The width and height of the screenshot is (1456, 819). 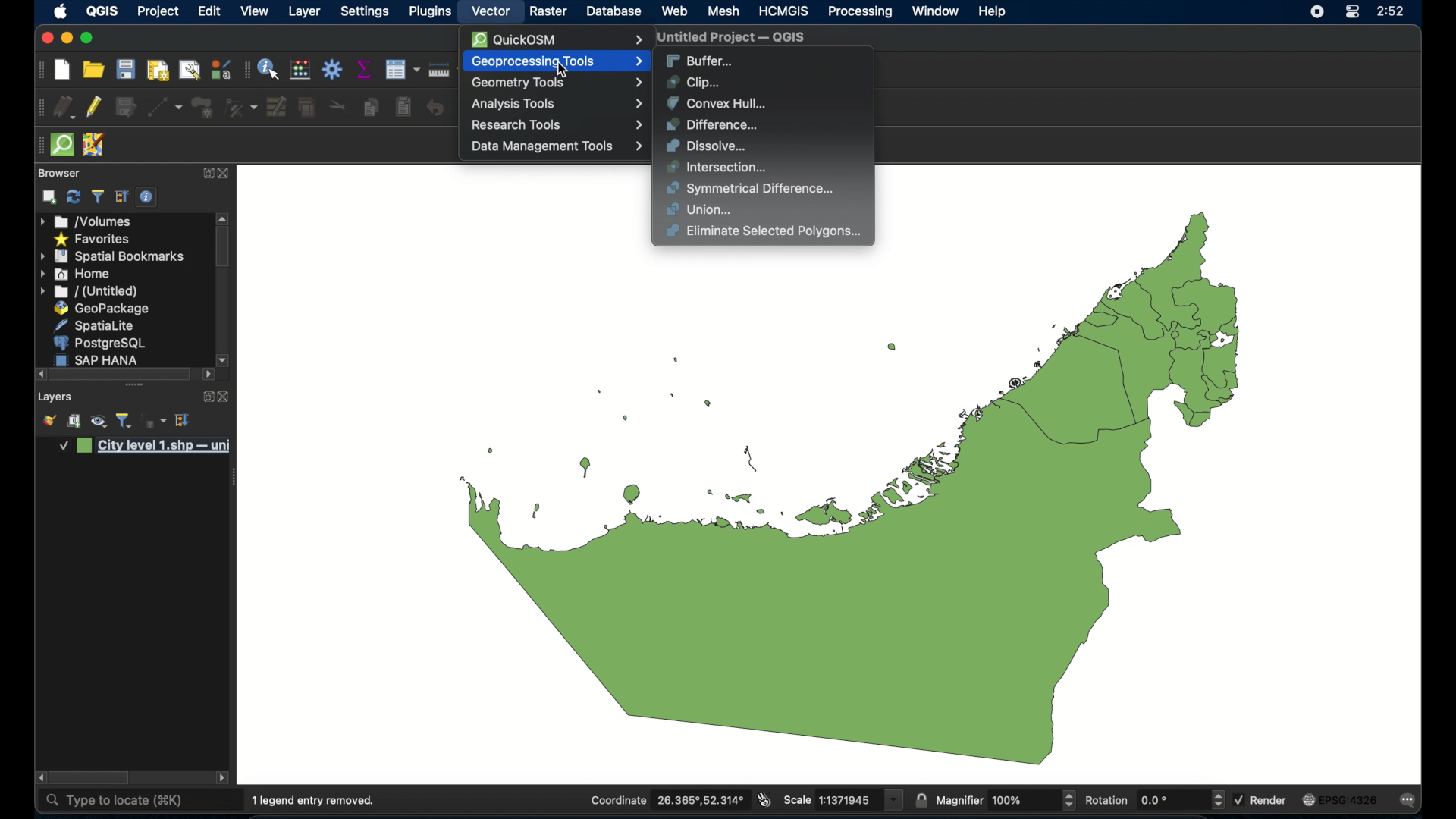 I want to click on layer, so click(x=305, y=13).